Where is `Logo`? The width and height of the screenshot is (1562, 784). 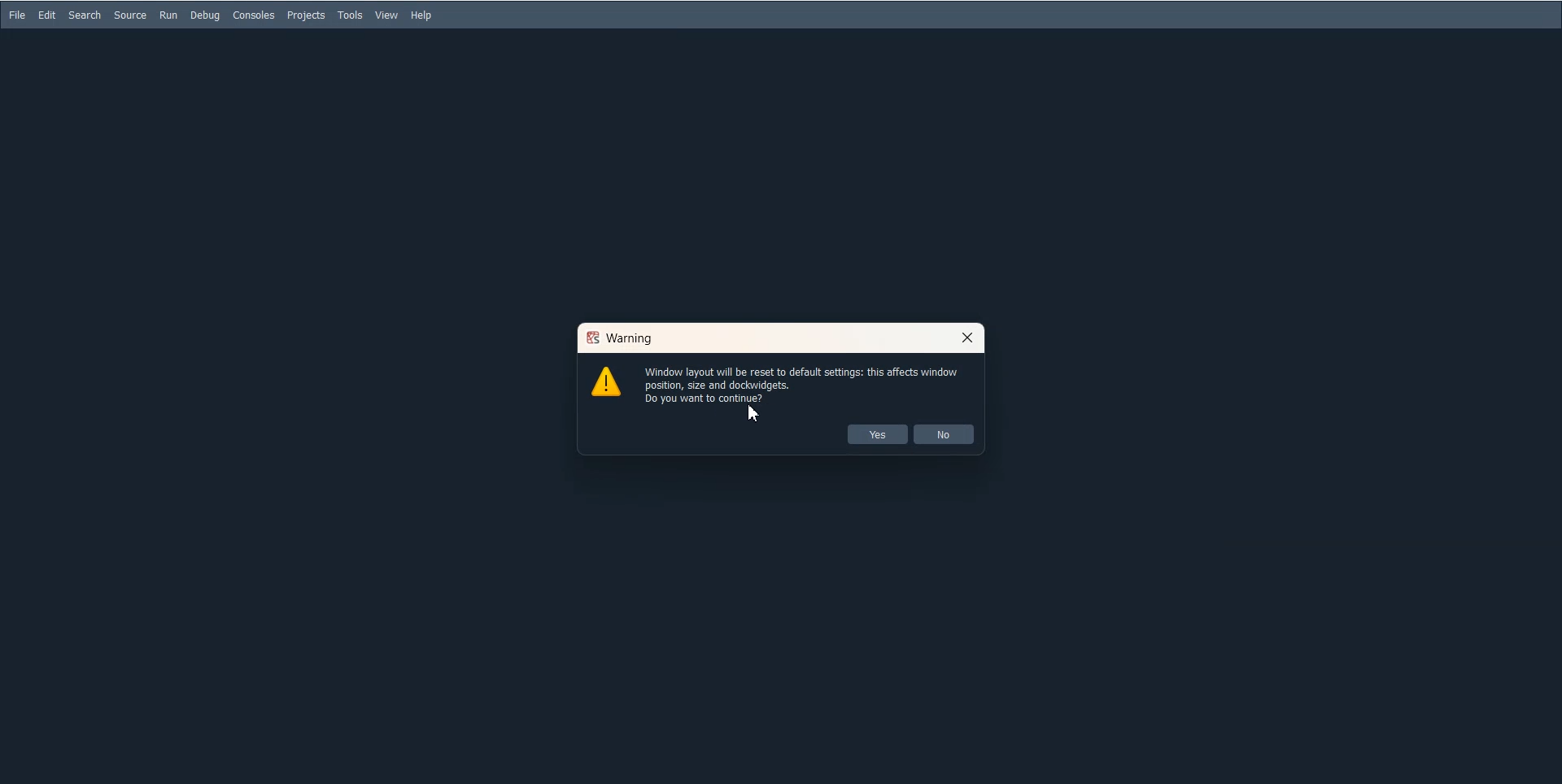
Logo is located at coordinates (606, 381).